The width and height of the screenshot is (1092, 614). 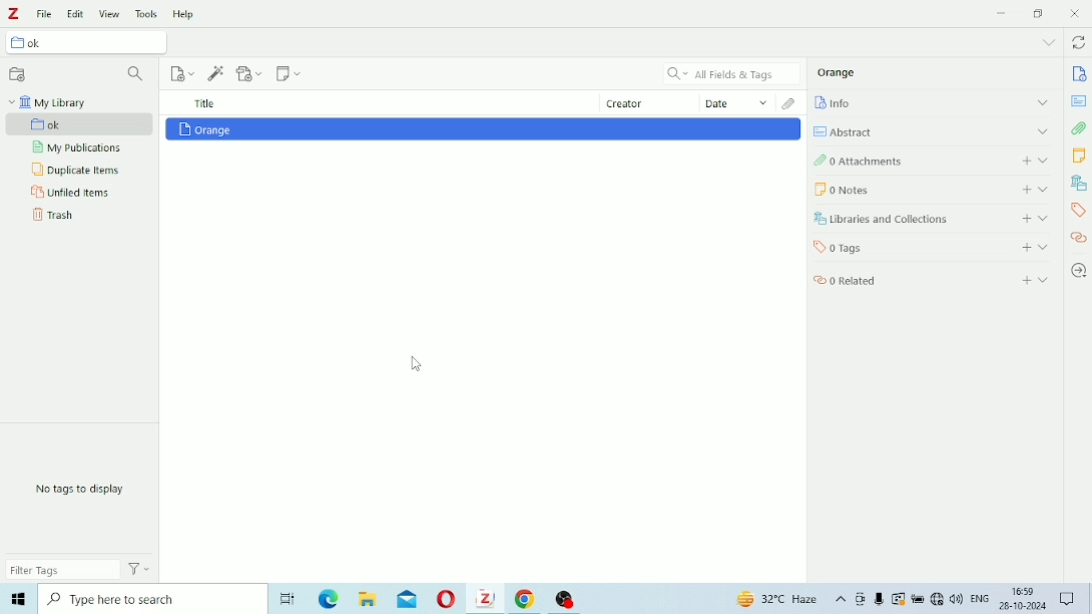 What do you see at coordinates (91, 44) in the screenshot?
I see `ok` at bounding box center [91, 44].